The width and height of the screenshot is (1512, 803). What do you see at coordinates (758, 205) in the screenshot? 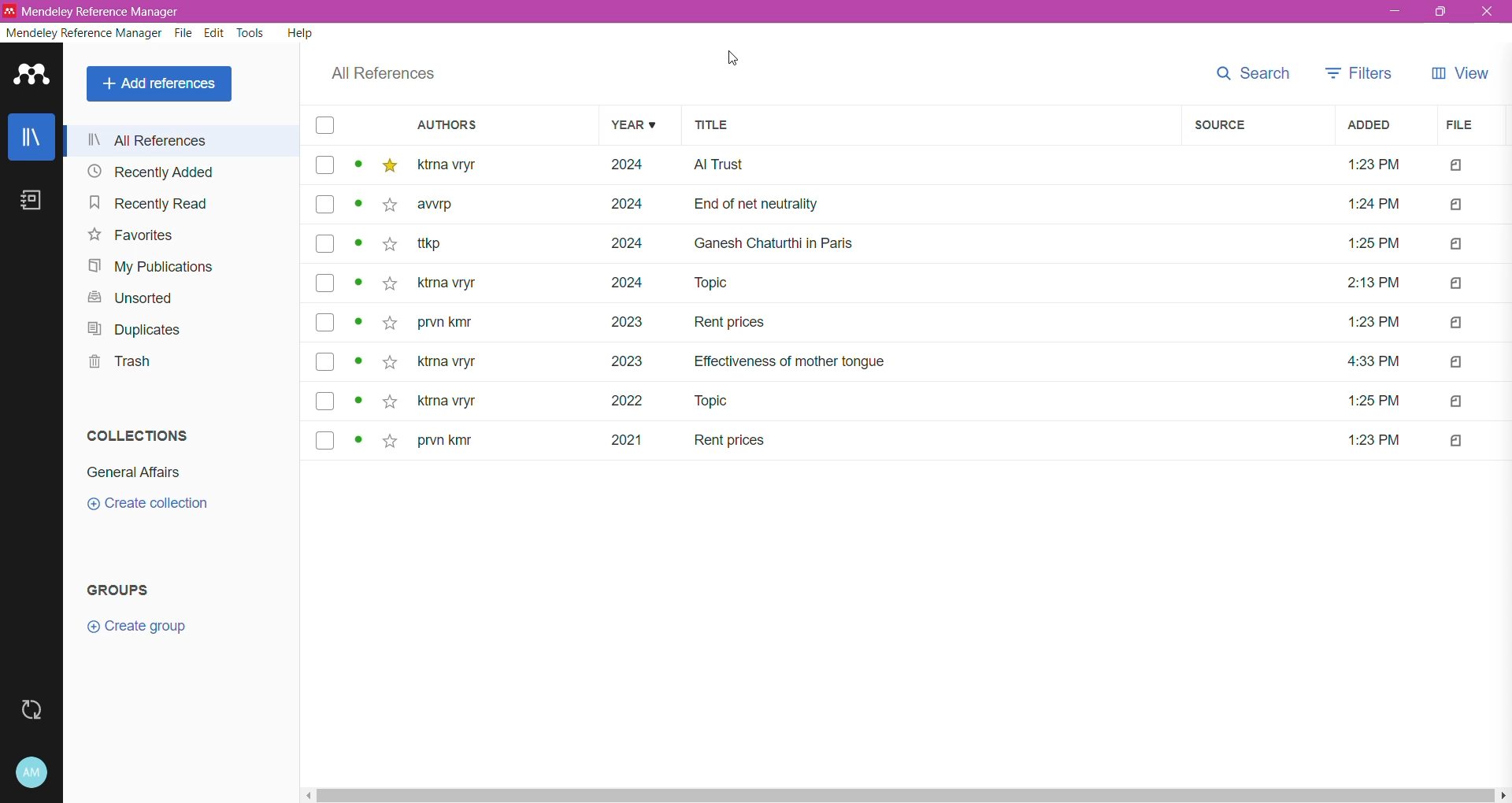
I see `end of net neutrality` at bounding box center [758, 205].